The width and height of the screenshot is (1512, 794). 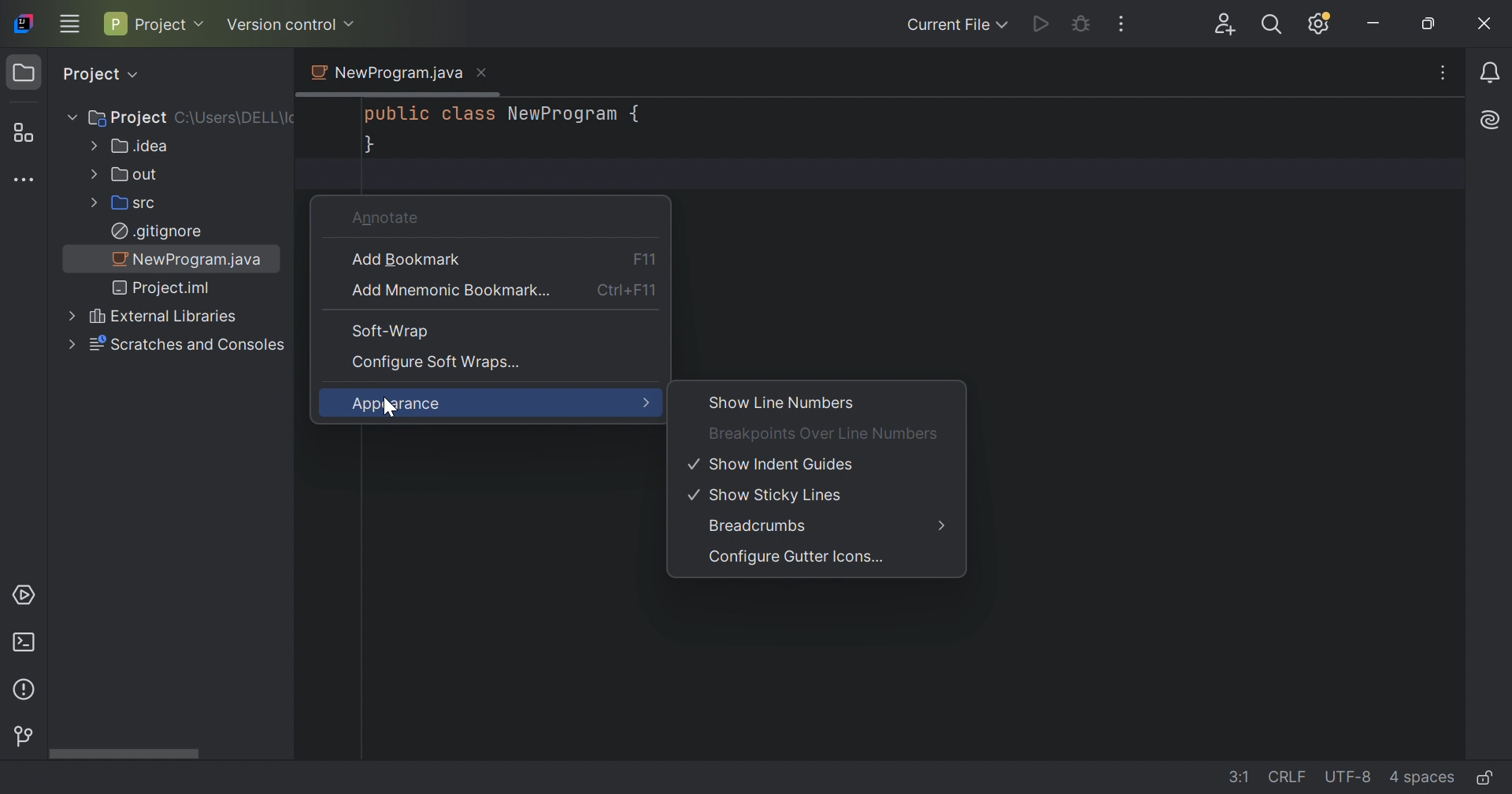 What do you see at coordinates (1492, 121) in the screenshot?
I see `AI assistant` at bounding box center [1492, 121].